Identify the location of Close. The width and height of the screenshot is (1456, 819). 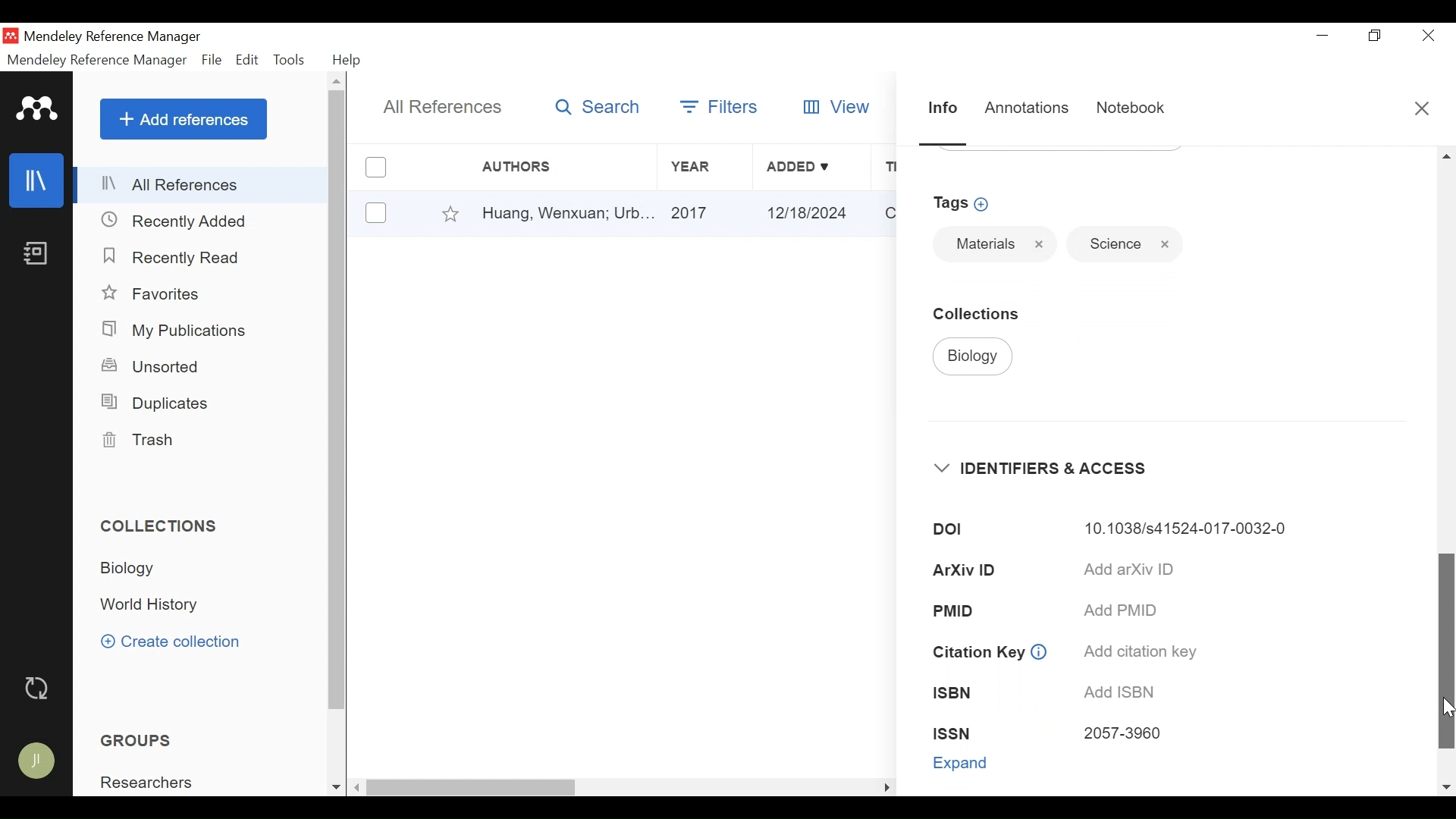
(1040, 244).